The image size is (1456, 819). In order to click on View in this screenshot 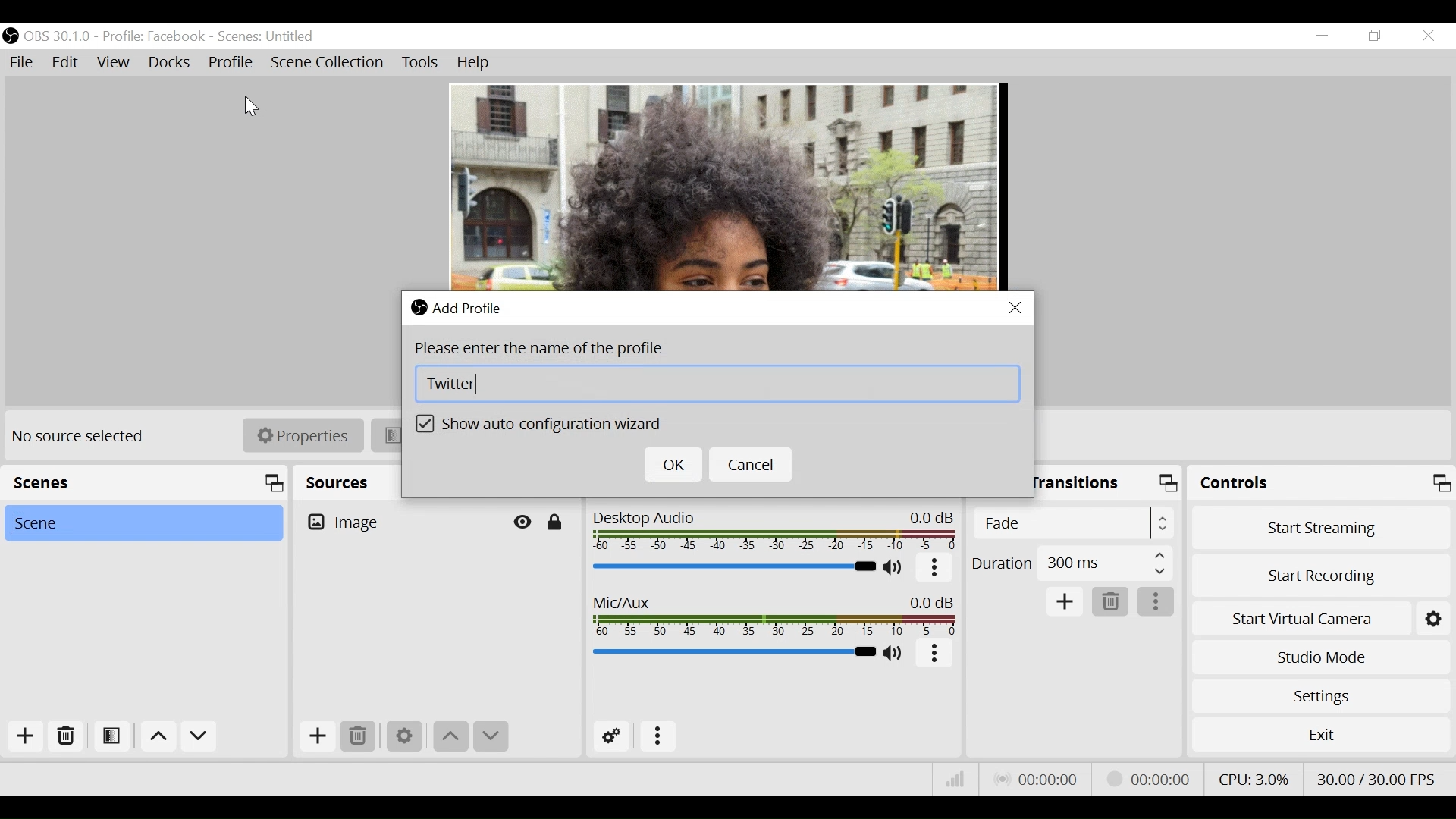, I will do `click(115, 63)`.